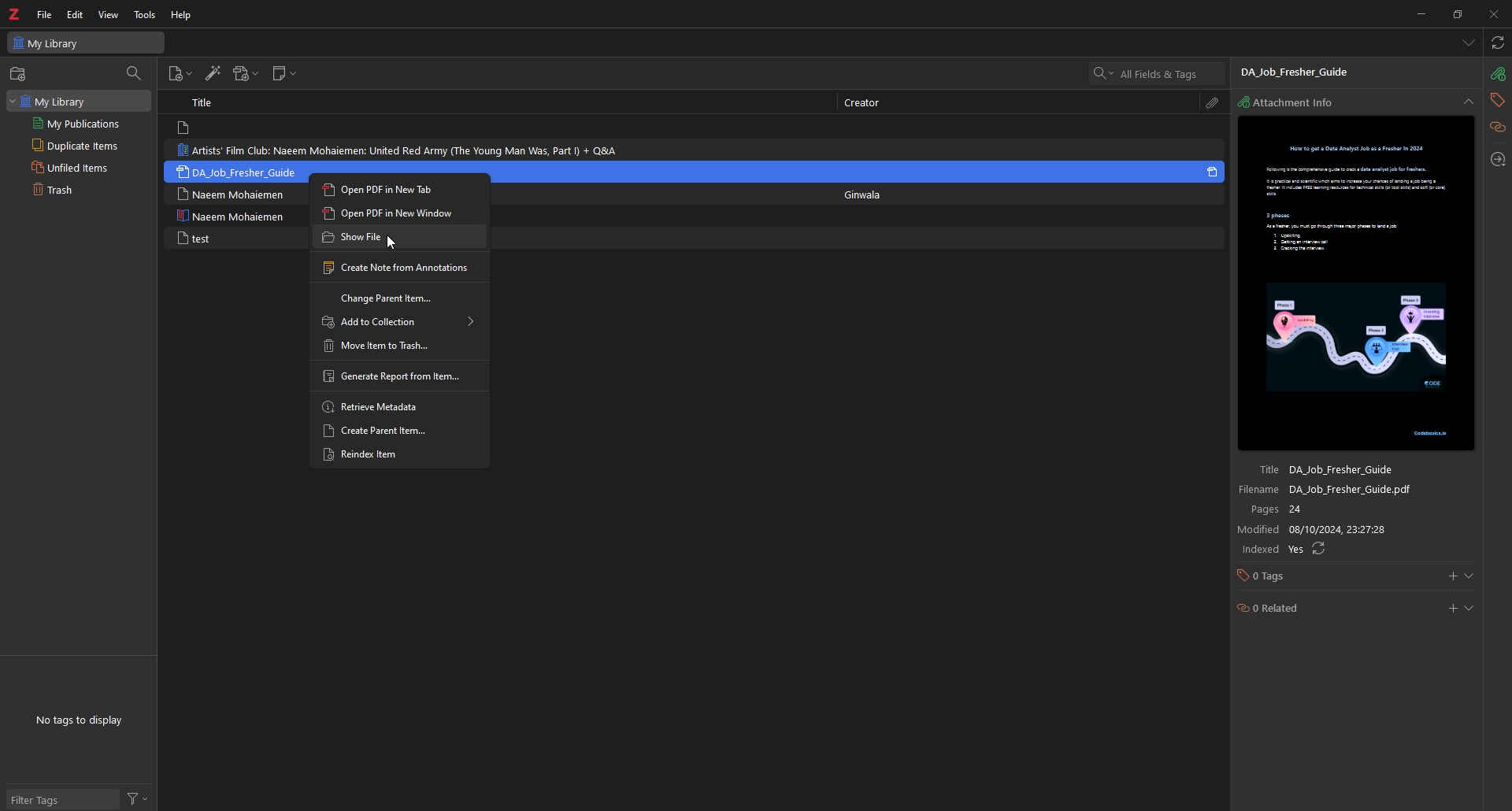  I want to click on sync with zotero.org, so click(1496, 43).